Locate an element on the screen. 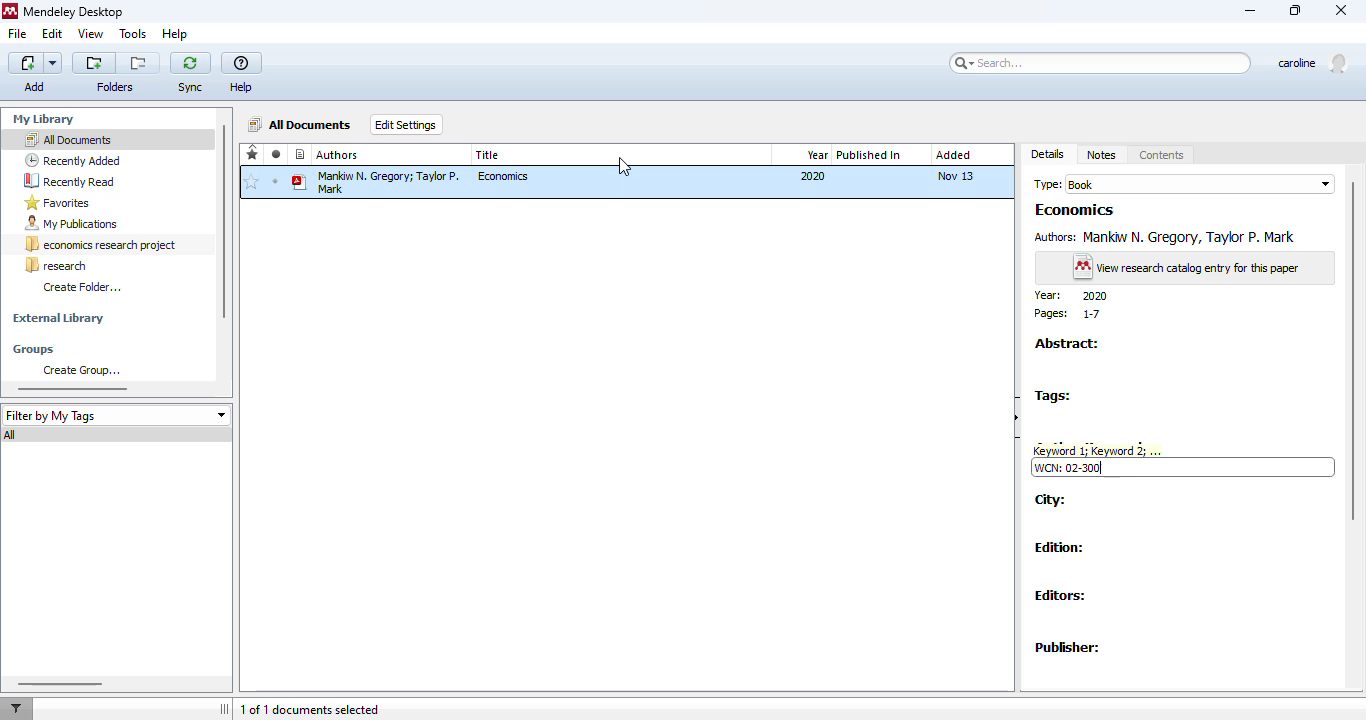 The height and width of the screenshot is (720, 1366). pages: 1-7 is located at coordinates (1065, 314).